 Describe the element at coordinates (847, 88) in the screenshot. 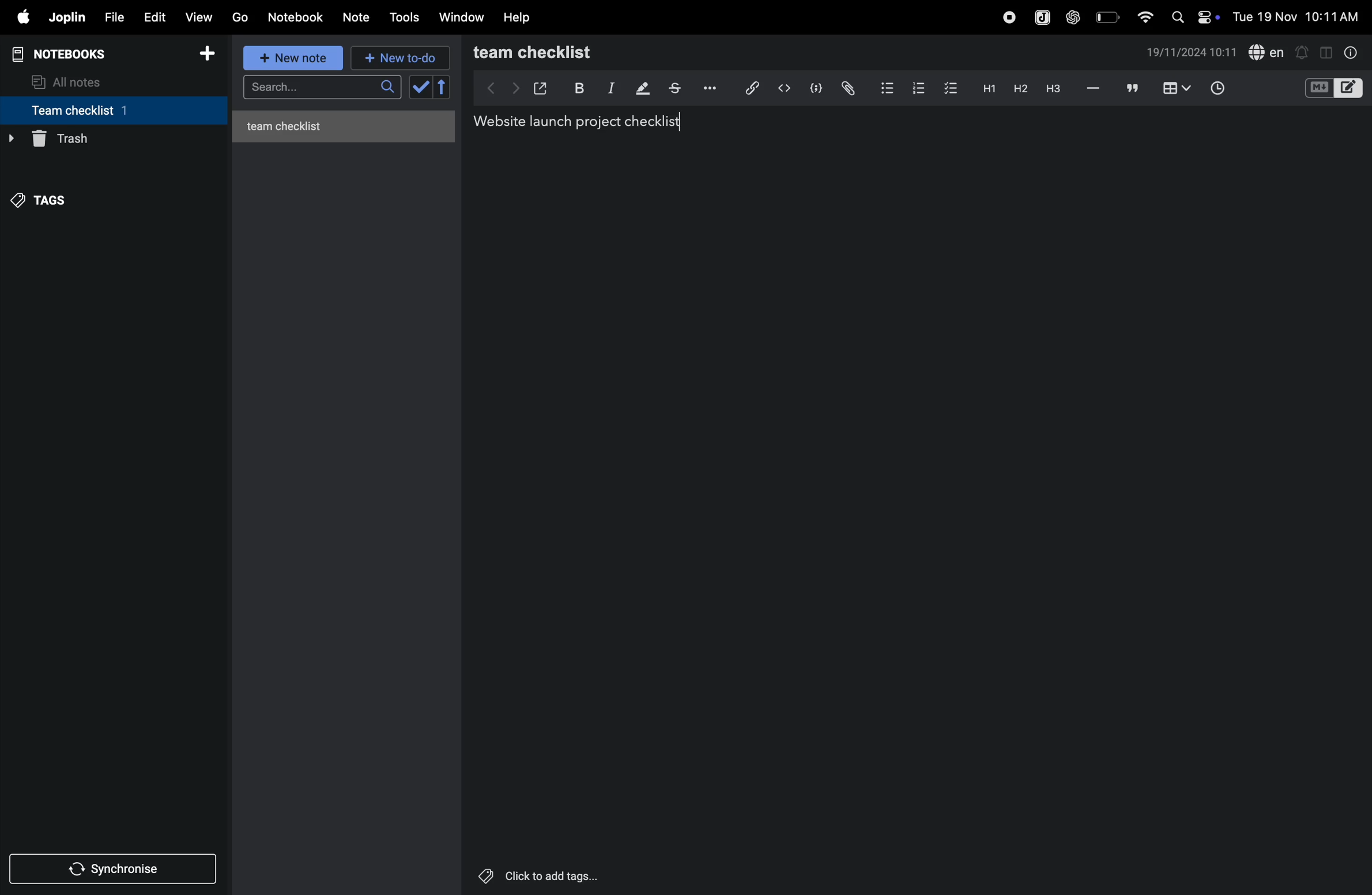

I see `attach file` at that location.